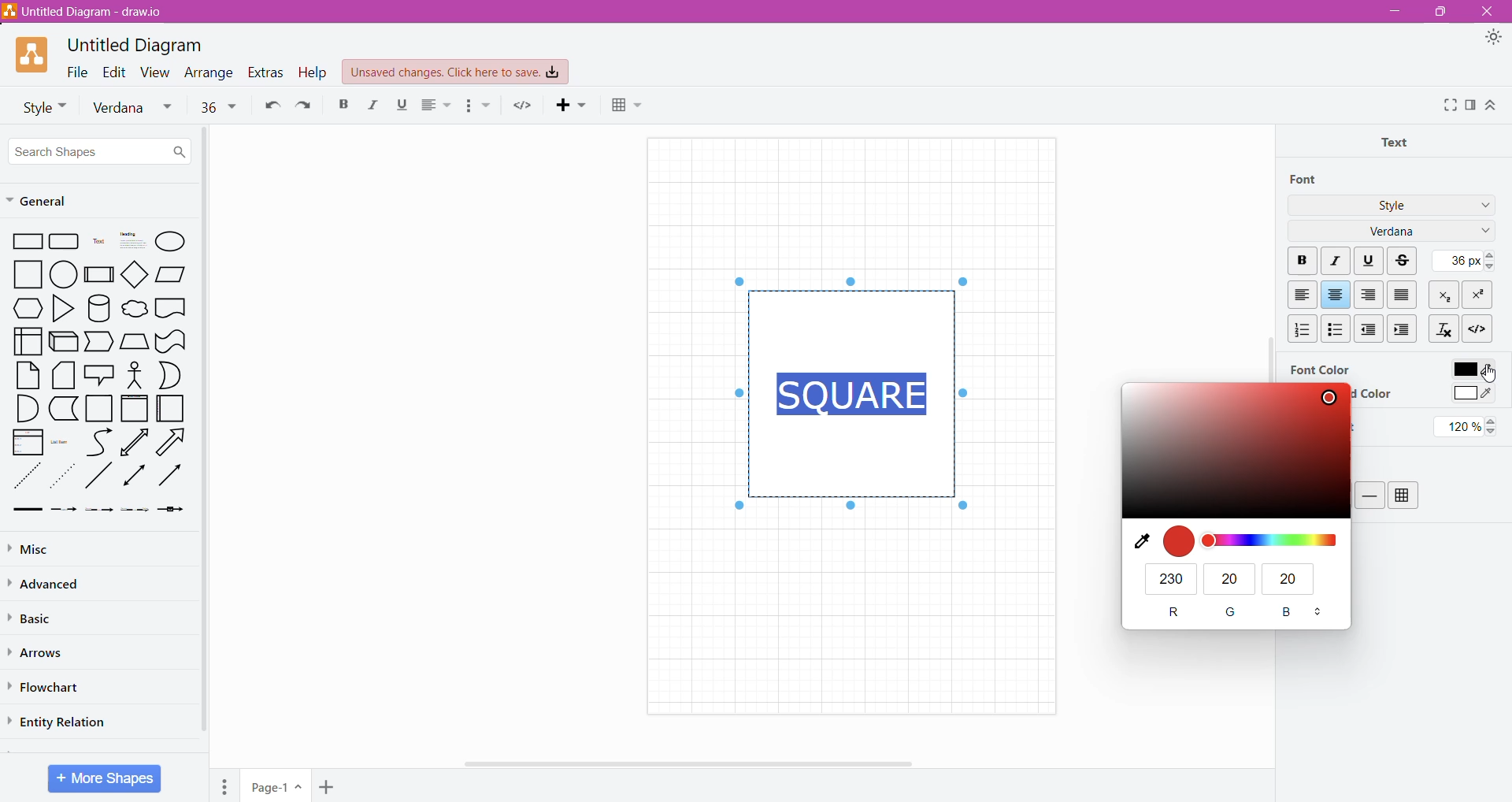  What do you see at coordinates (1234, 451) in the screenshot?
I see `color` at bounding box center [1234, 451].